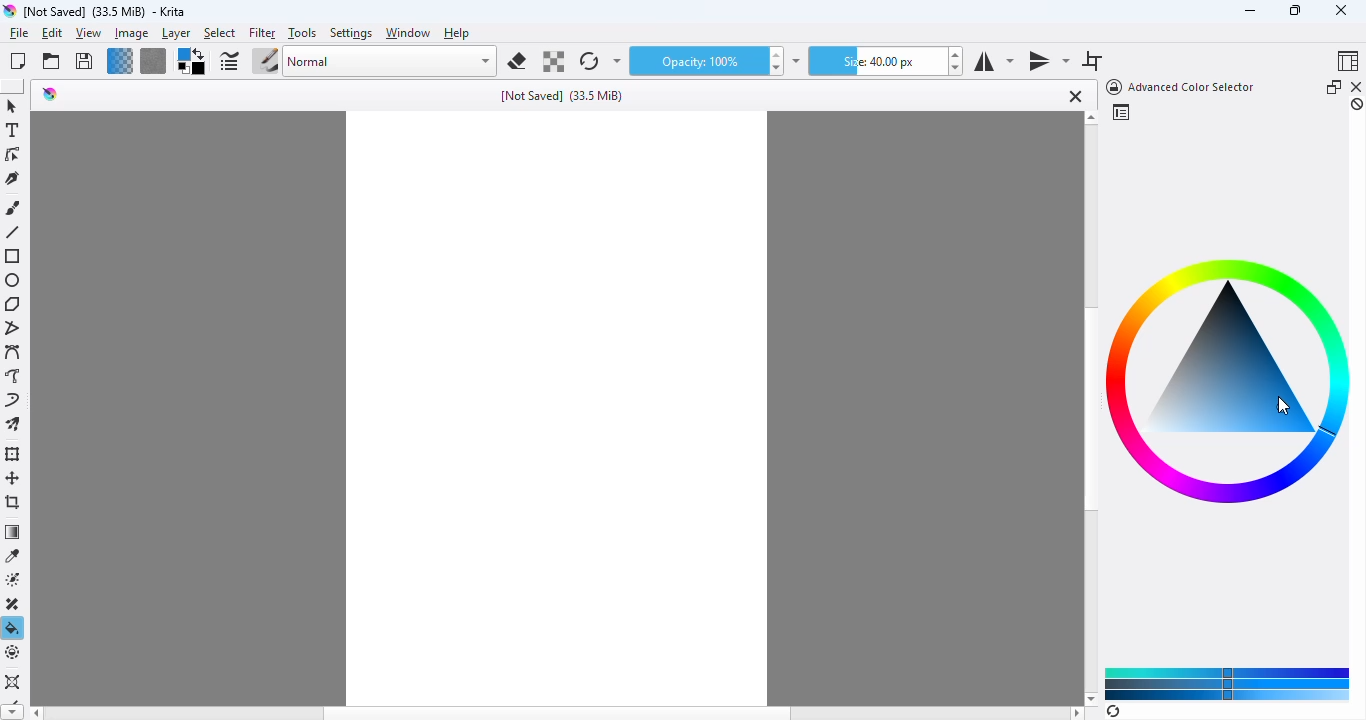  I want to click on colorize mask tool, so click(15, 580).